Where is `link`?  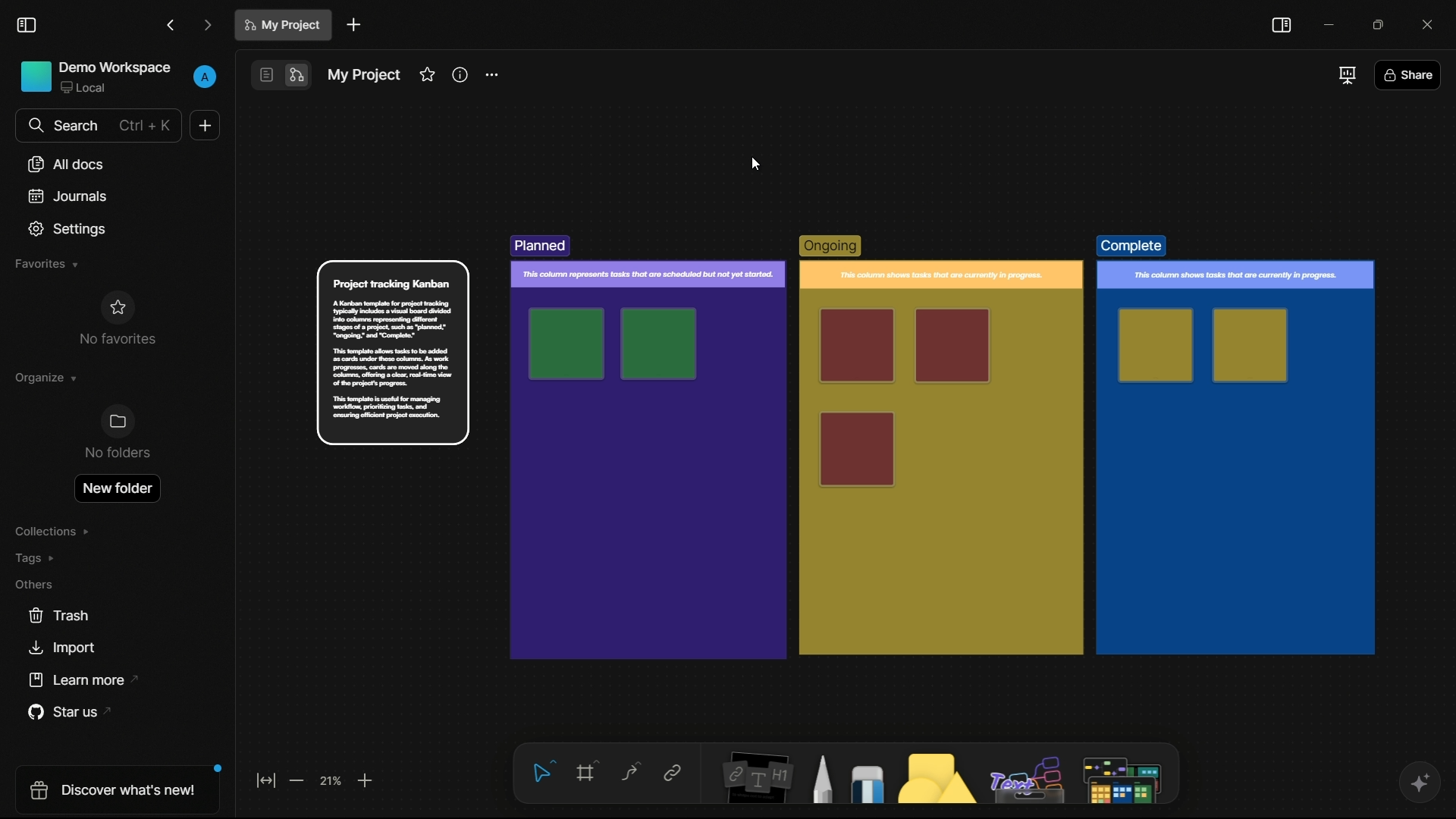
link is located at coordinates (672, 773).